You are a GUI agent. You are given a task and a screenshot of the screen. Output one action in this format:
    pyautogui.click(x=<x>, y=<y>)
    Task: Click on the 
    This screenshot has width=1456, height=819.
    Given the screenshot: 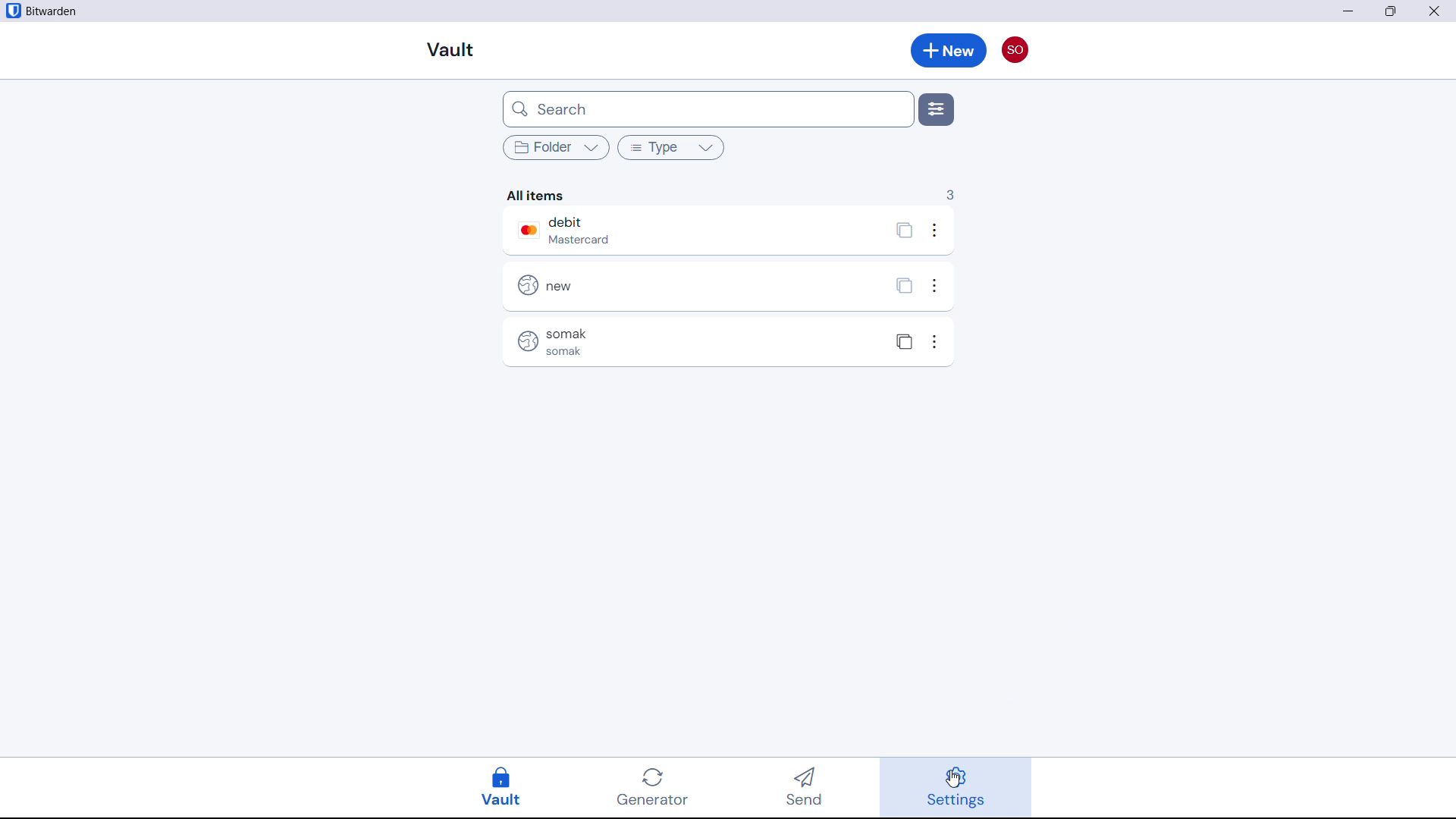 What is the action you would take?
    pyautogui.click(x=937, y=110)
    